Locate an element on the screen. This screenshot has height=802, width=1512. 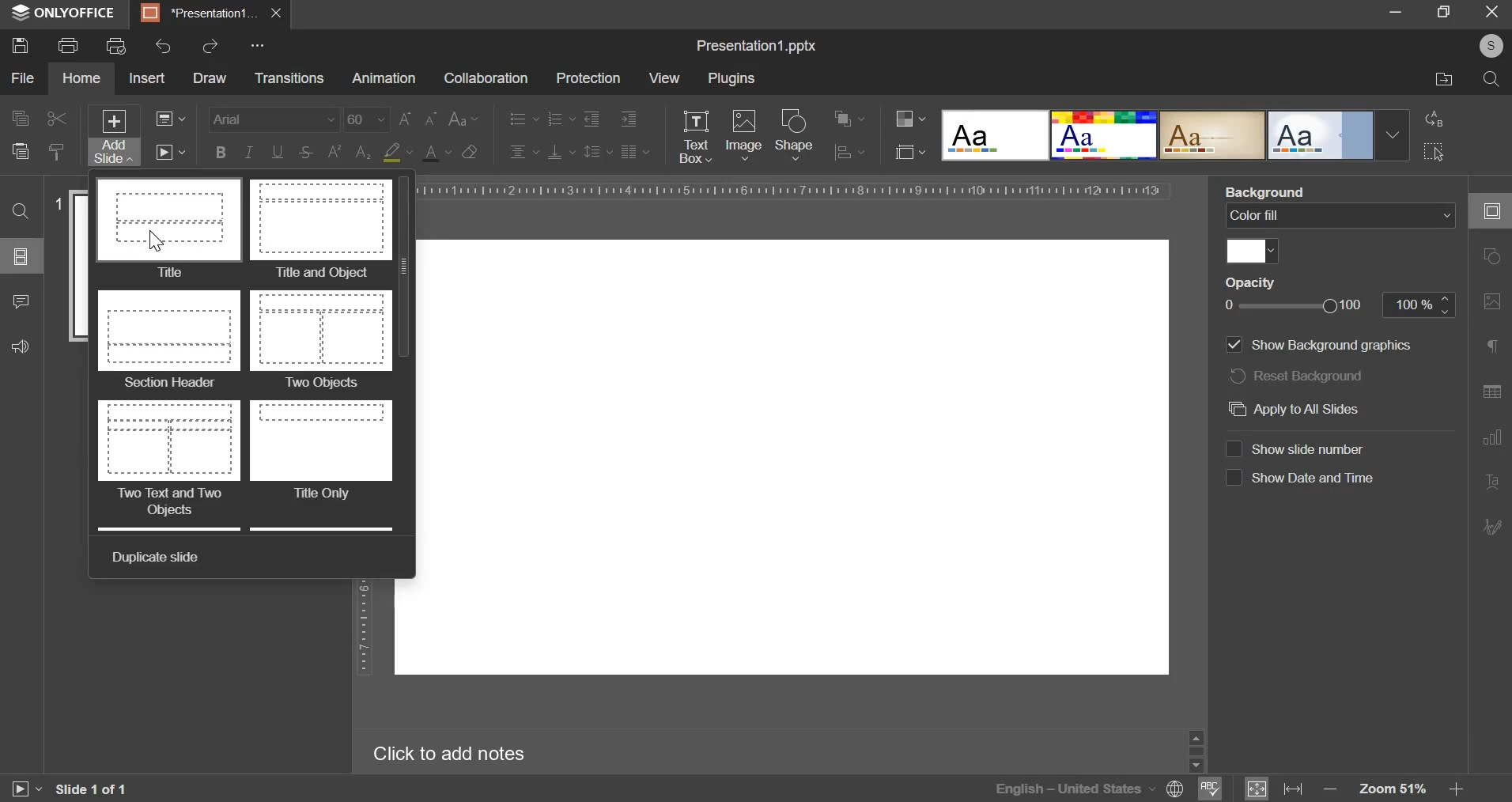
title and object is located at coordinates (320, 230).